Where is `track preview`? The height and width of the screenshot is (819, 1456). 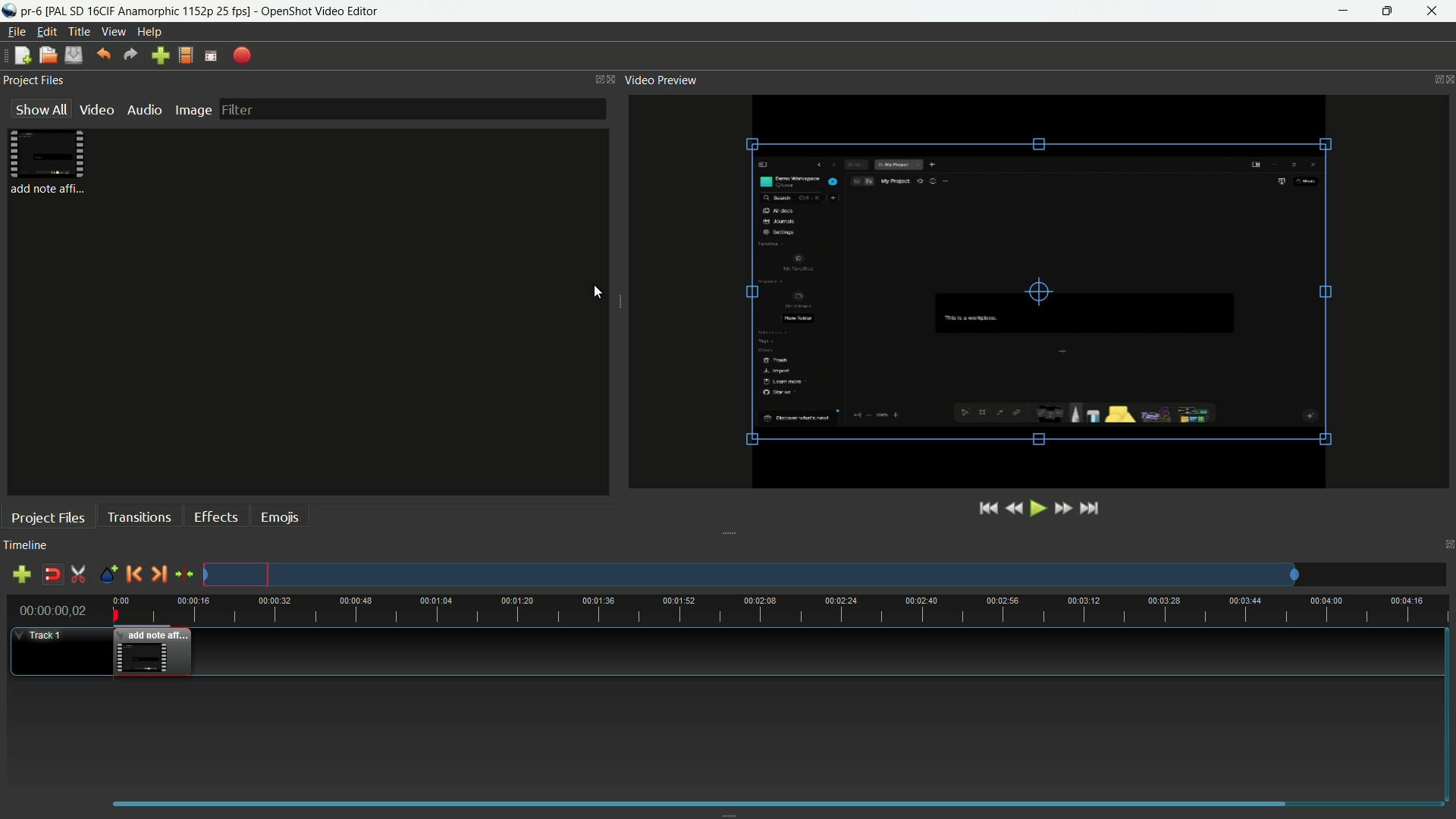 track preview is located at coordinates (750, 575).